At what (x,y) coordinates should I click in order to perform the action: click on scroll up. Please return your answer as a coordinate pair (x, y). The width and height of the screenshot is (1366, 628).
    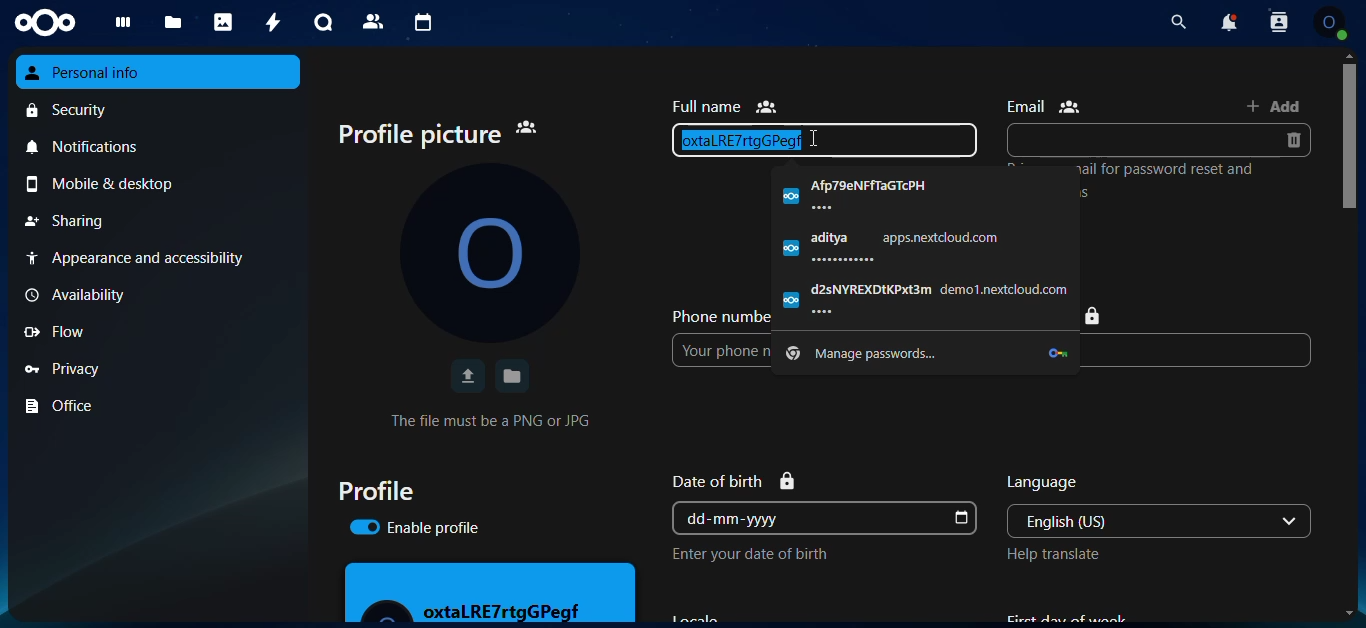
    Looking at the image, I should click on (1349, 55).